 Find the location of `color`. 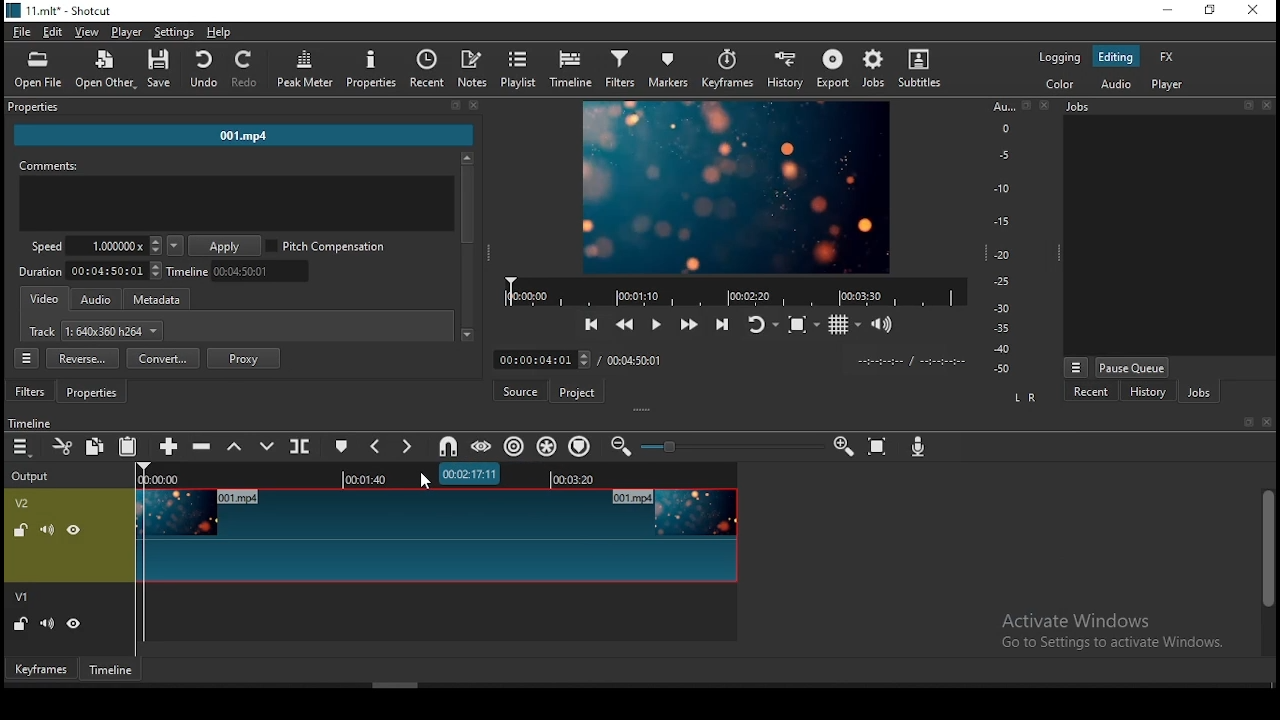

color is located at coordinates (1059, 82).